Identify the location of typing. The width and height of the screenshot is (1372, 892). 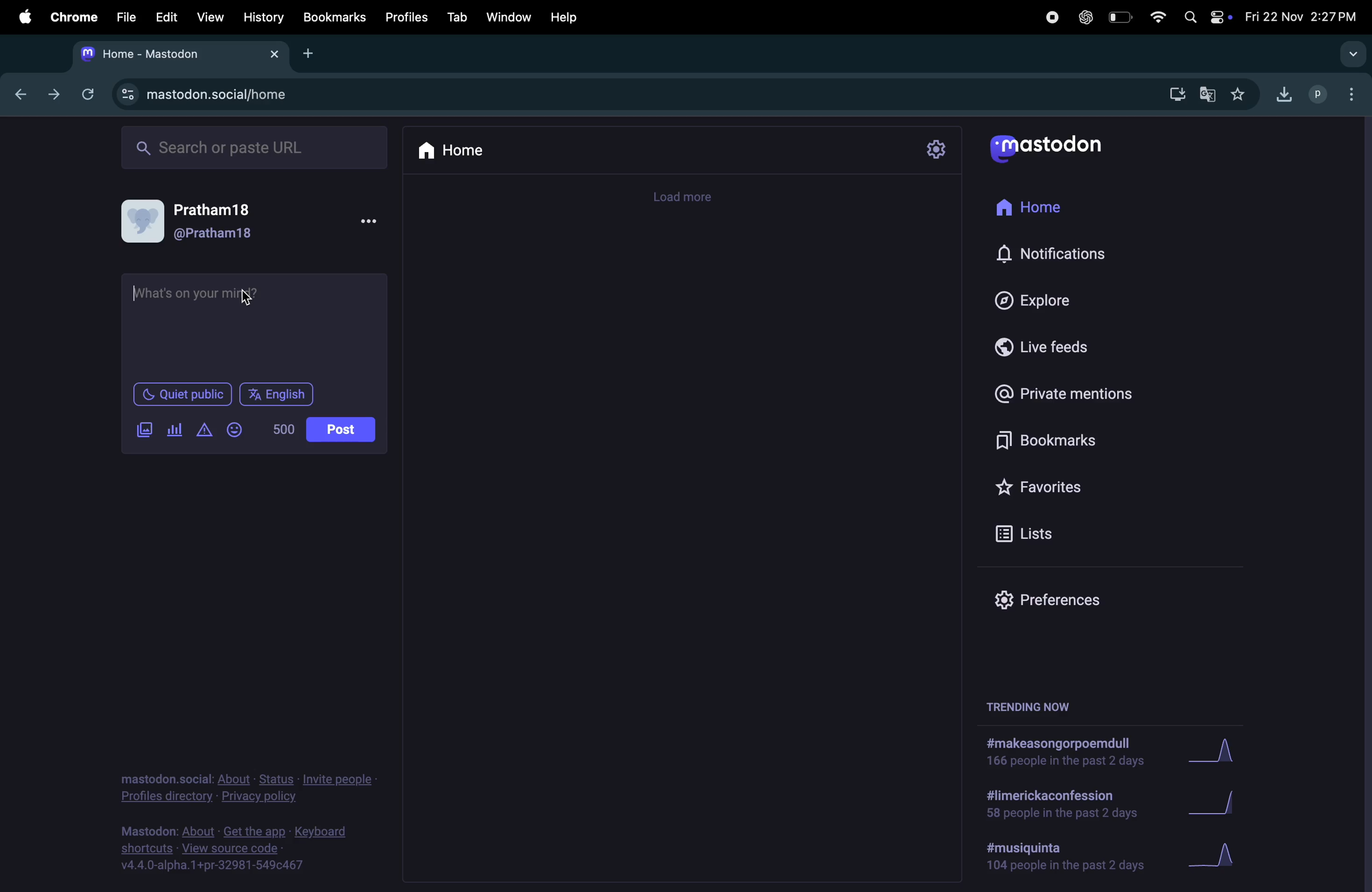
(194, 295).